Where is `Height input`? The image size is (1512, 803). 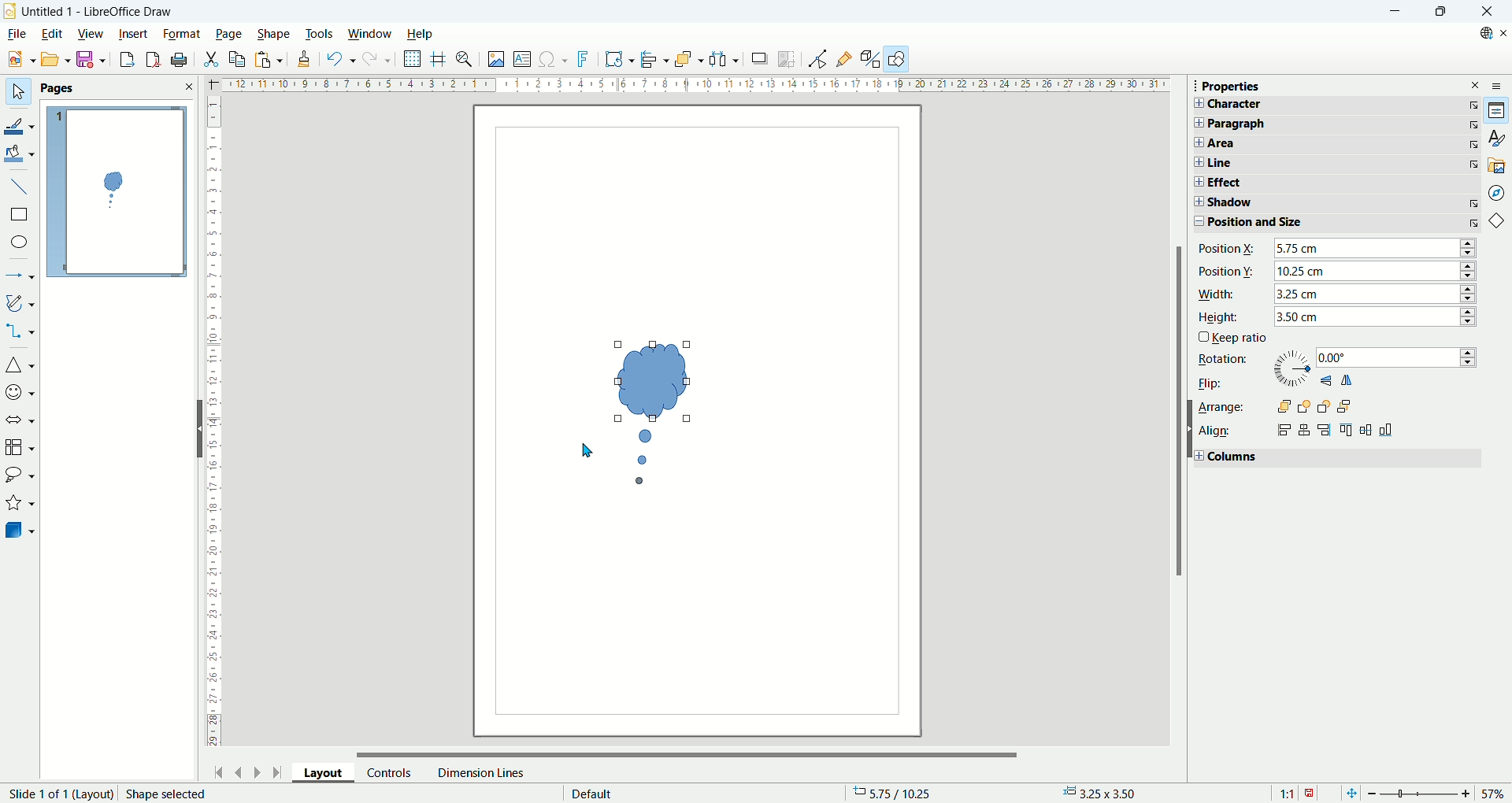
Height input is located at coordinates (1373, 316).